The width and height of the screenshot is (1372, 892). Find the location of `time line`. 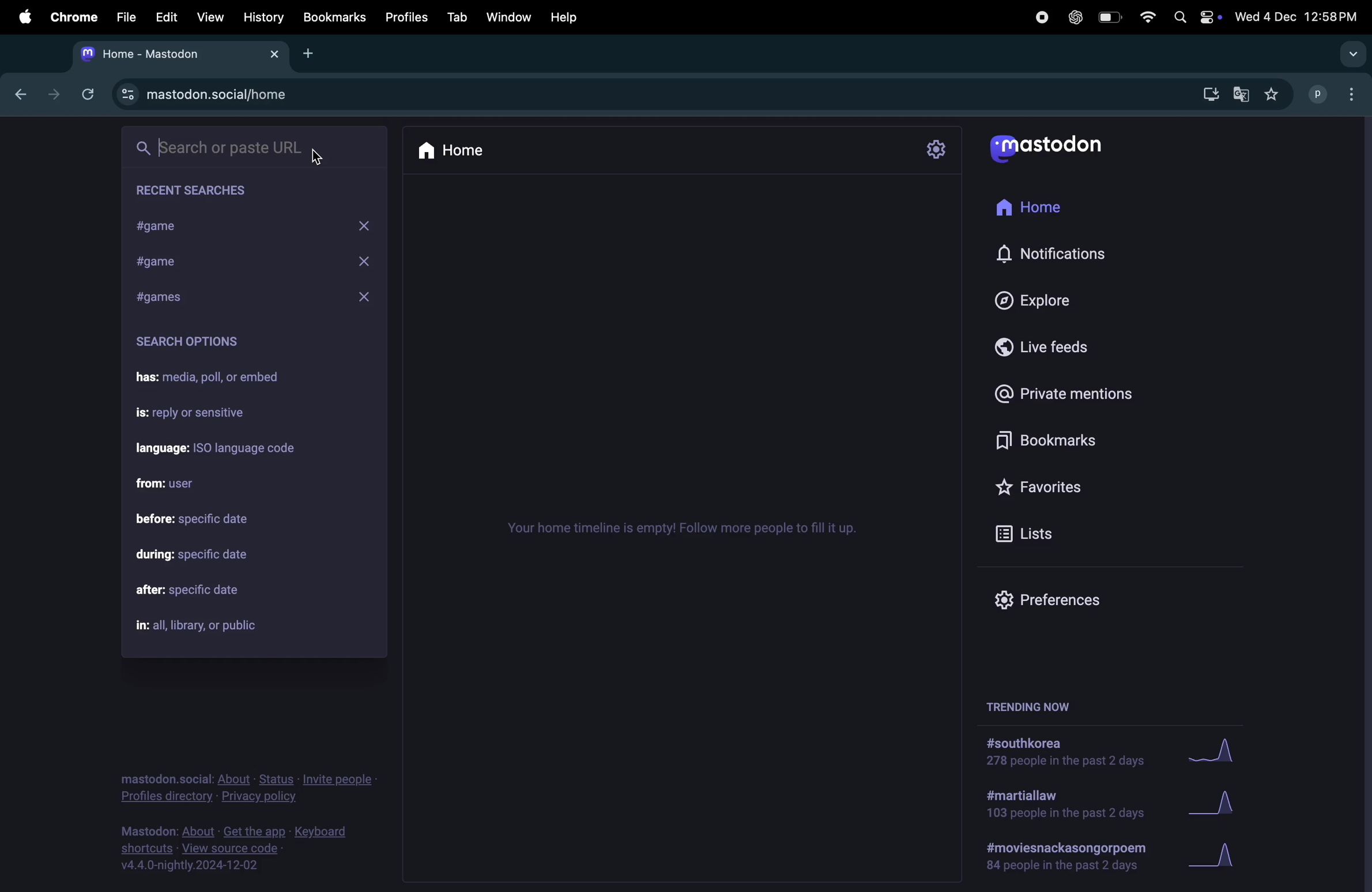

time line is located at coordinates (689, 527).